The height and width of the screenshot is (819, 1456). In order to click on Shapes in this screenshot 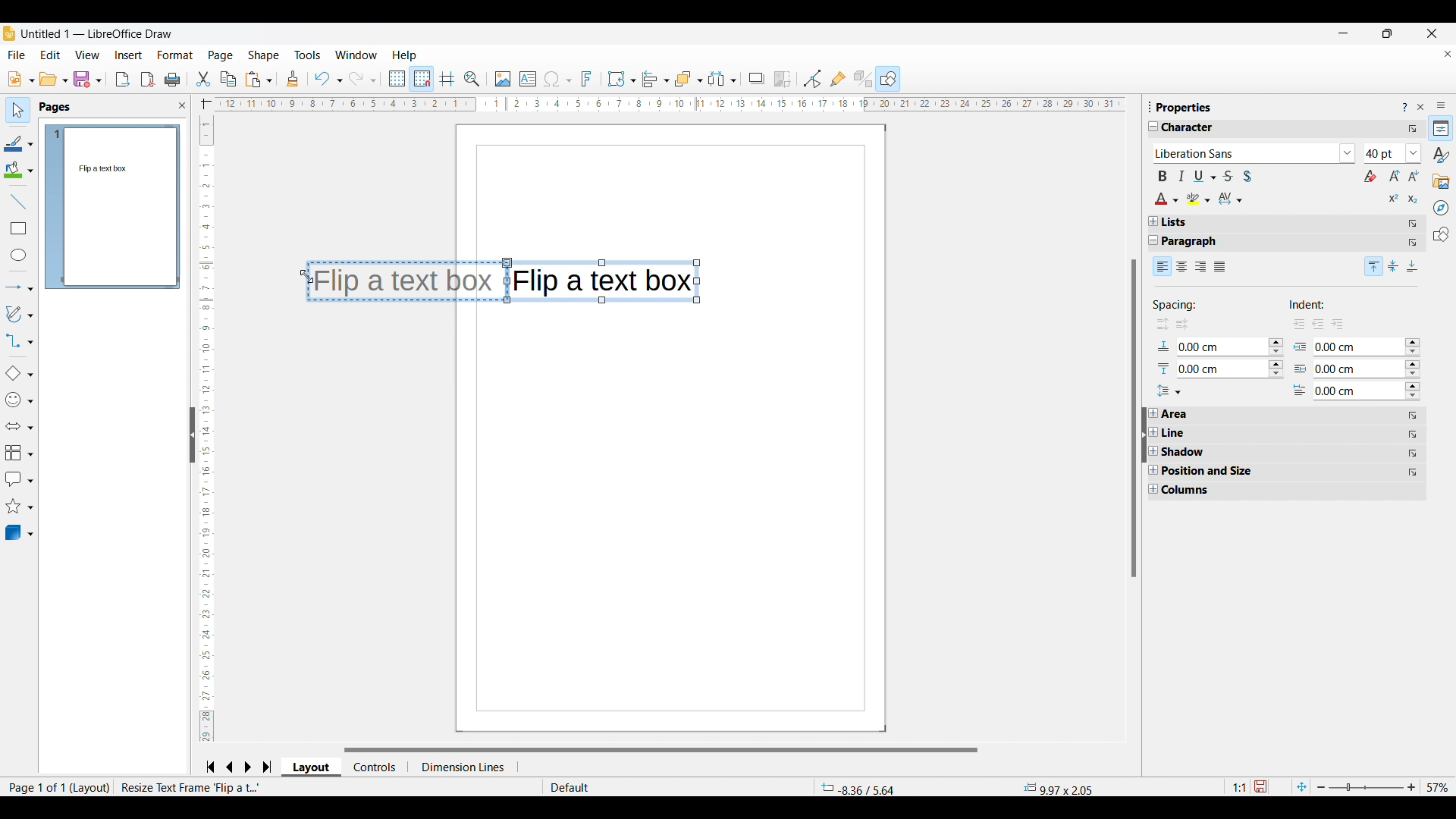, I will do `click(1442, 234)`.